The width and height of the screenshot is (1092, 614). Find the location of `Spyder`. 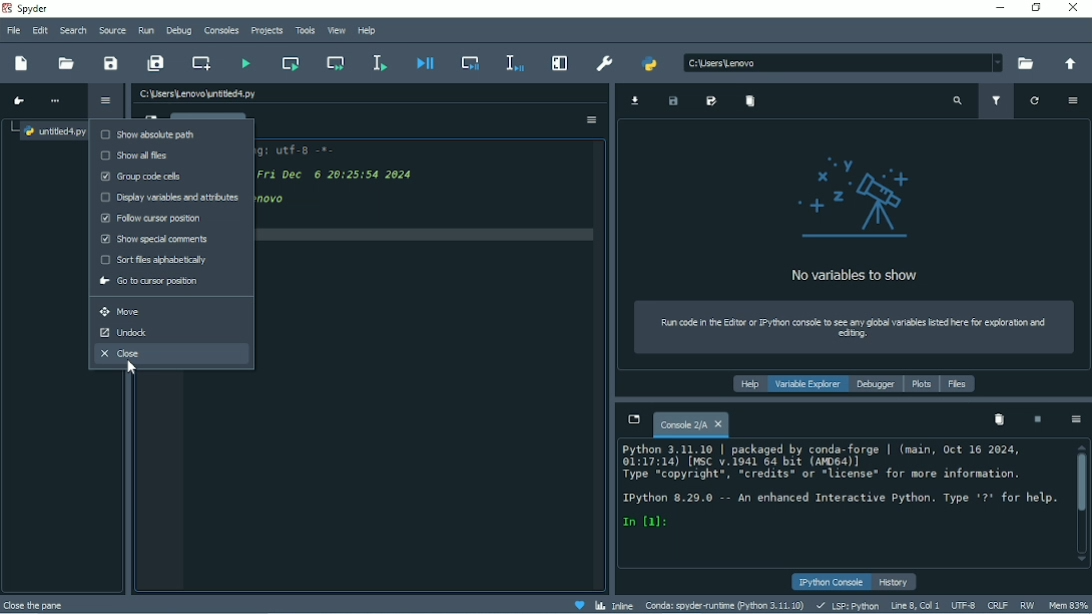

Spyder is located at coordinates (29, 9).